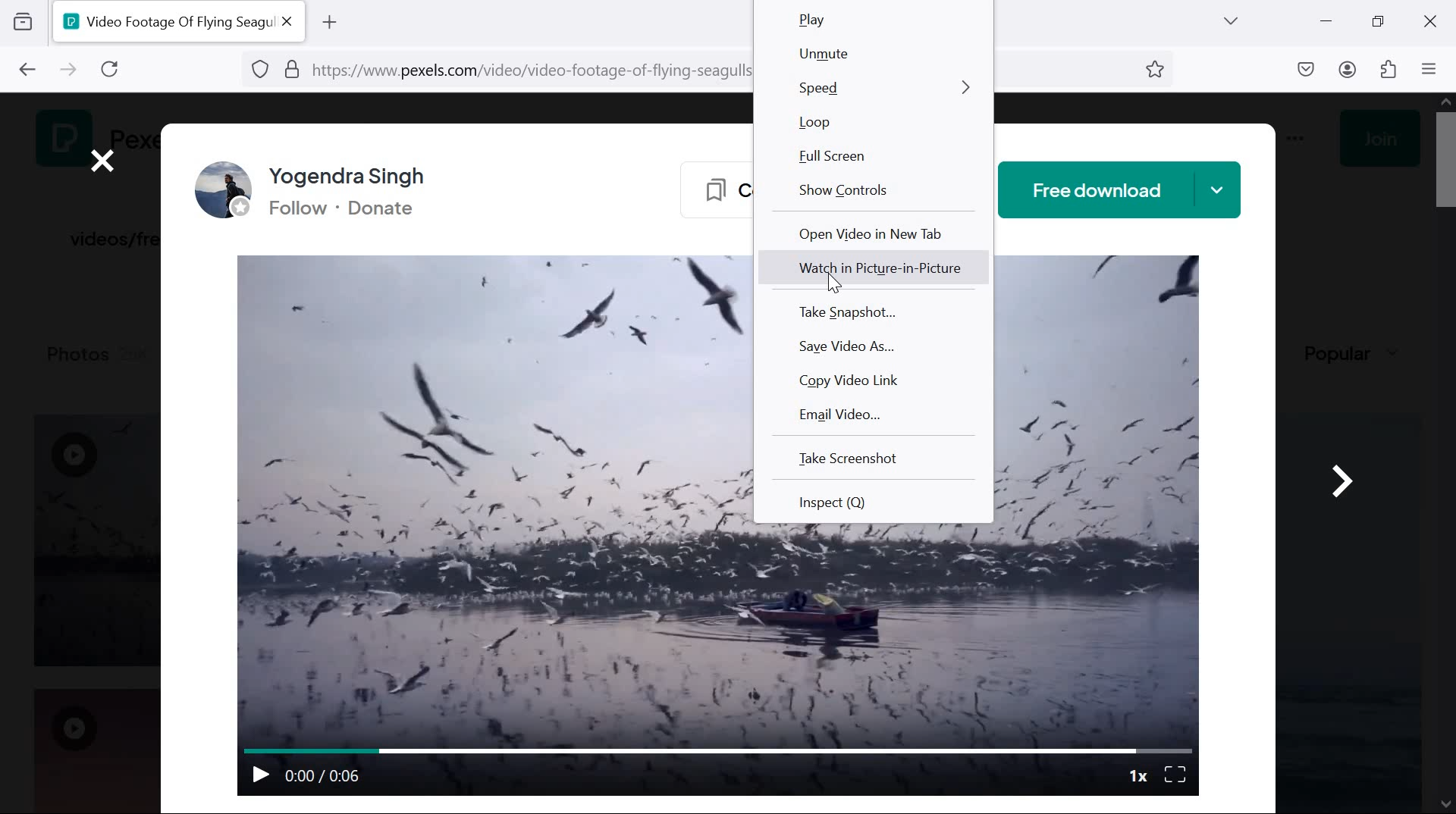 The image size is (1456, 814). What do you see at coordinates (886, 126) in the screenshot?
I see `loop` at bounding box center [886, 126].